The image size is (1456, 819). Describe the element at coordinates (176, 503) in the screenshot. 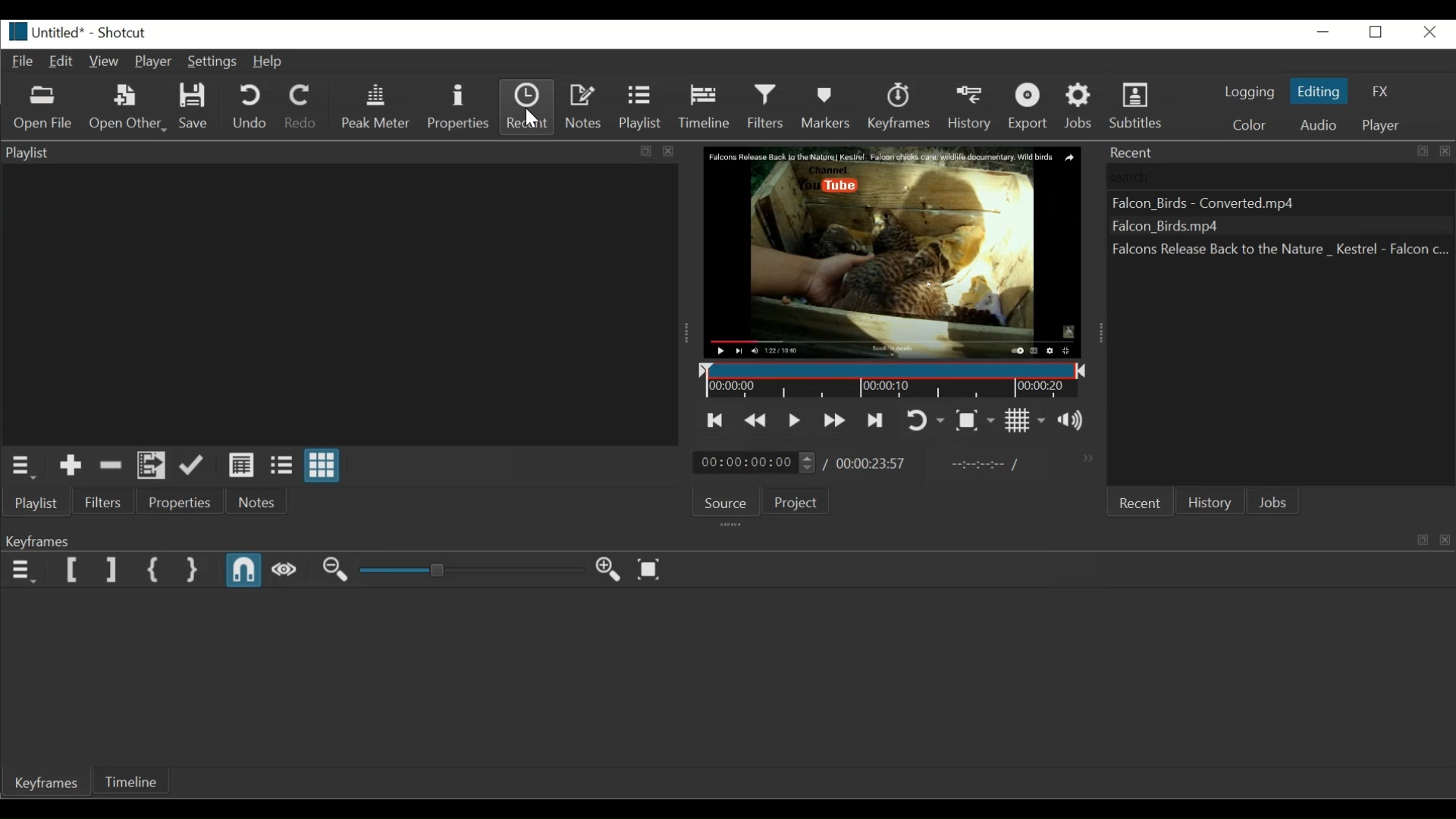

I see `Properties` at that location.